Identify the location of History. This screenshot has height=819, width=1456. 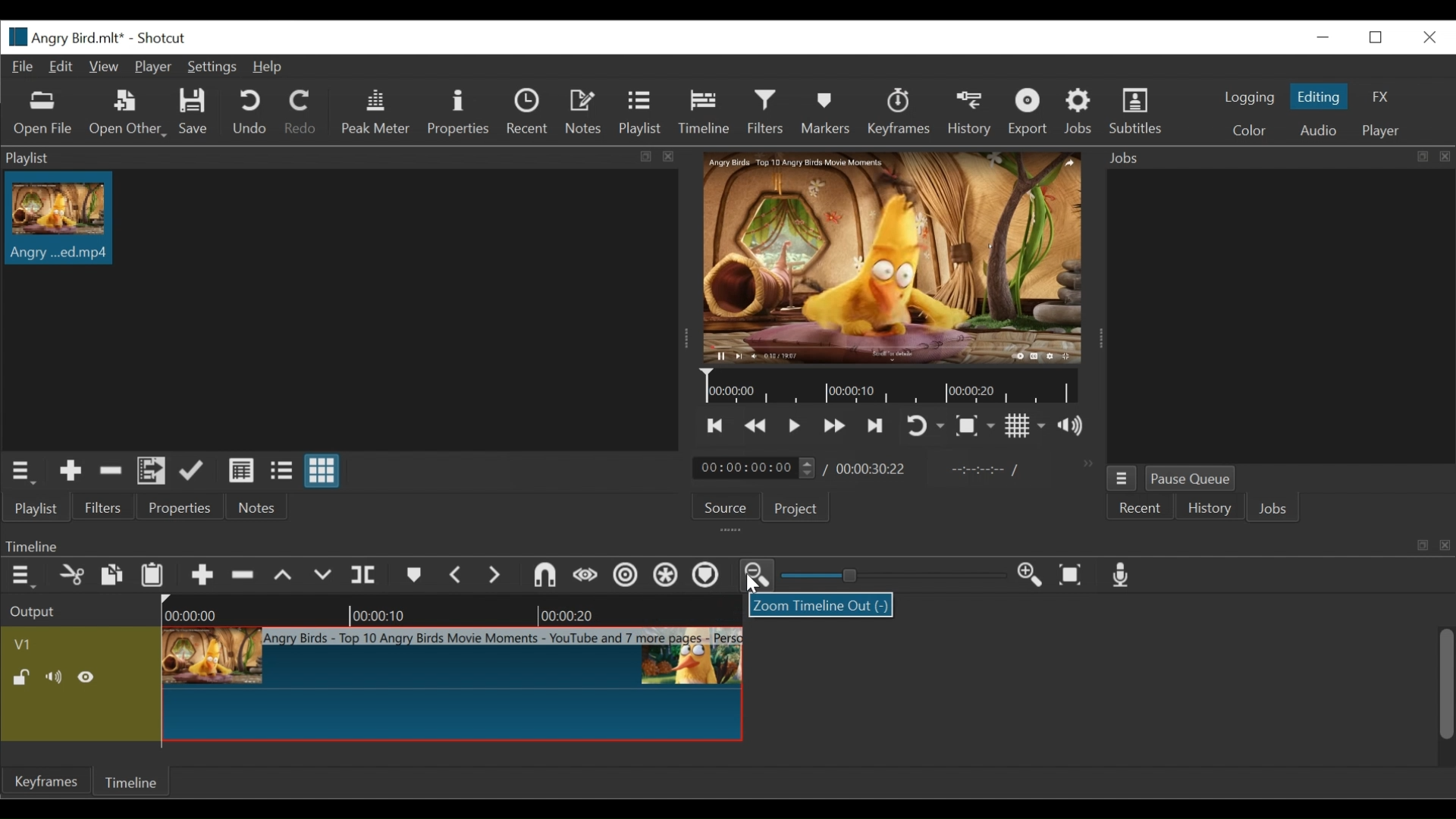
(1210, 510).